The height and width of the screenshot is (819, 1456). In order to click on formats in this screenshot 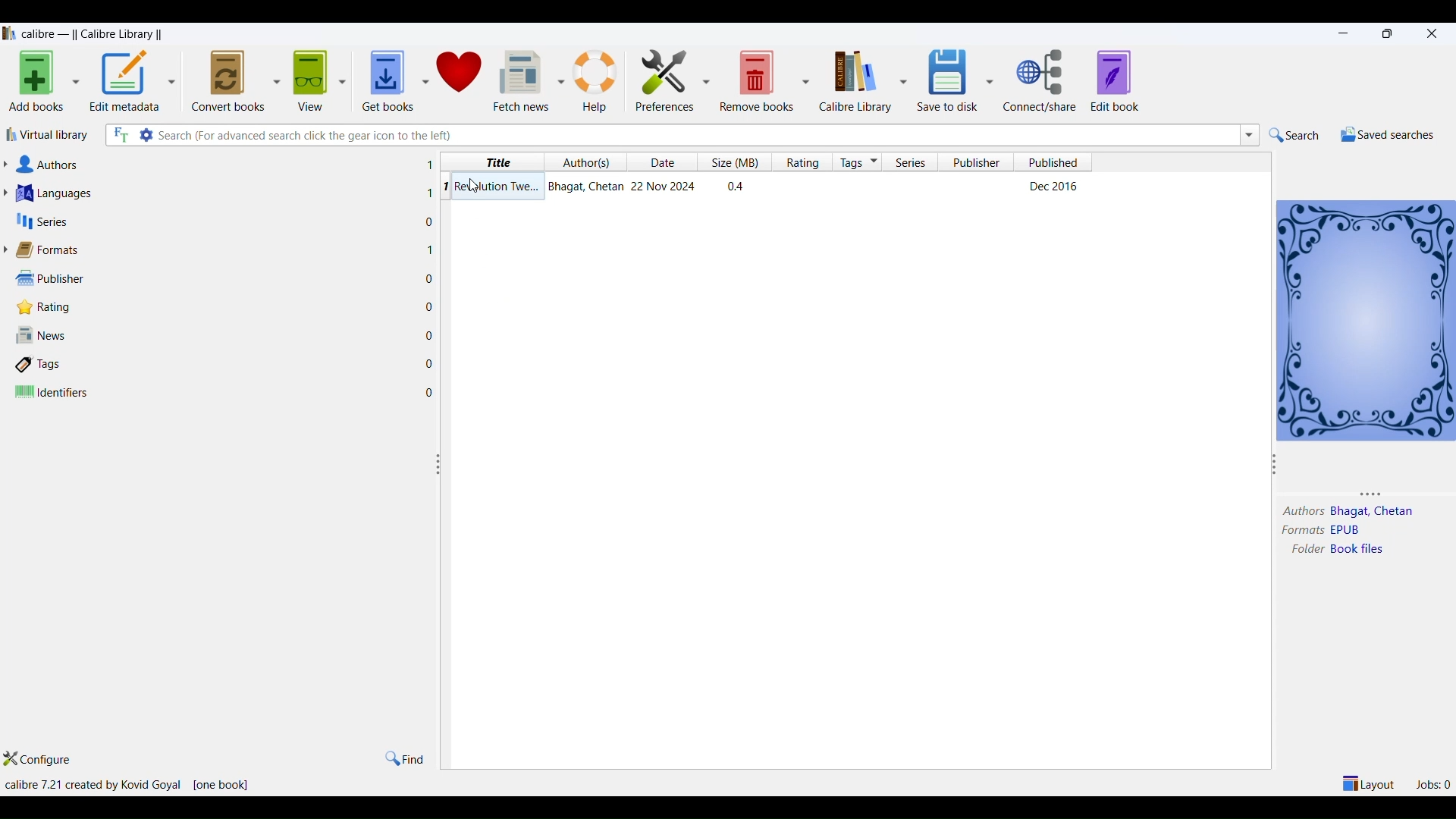, I will do `click(1299, 530)`.